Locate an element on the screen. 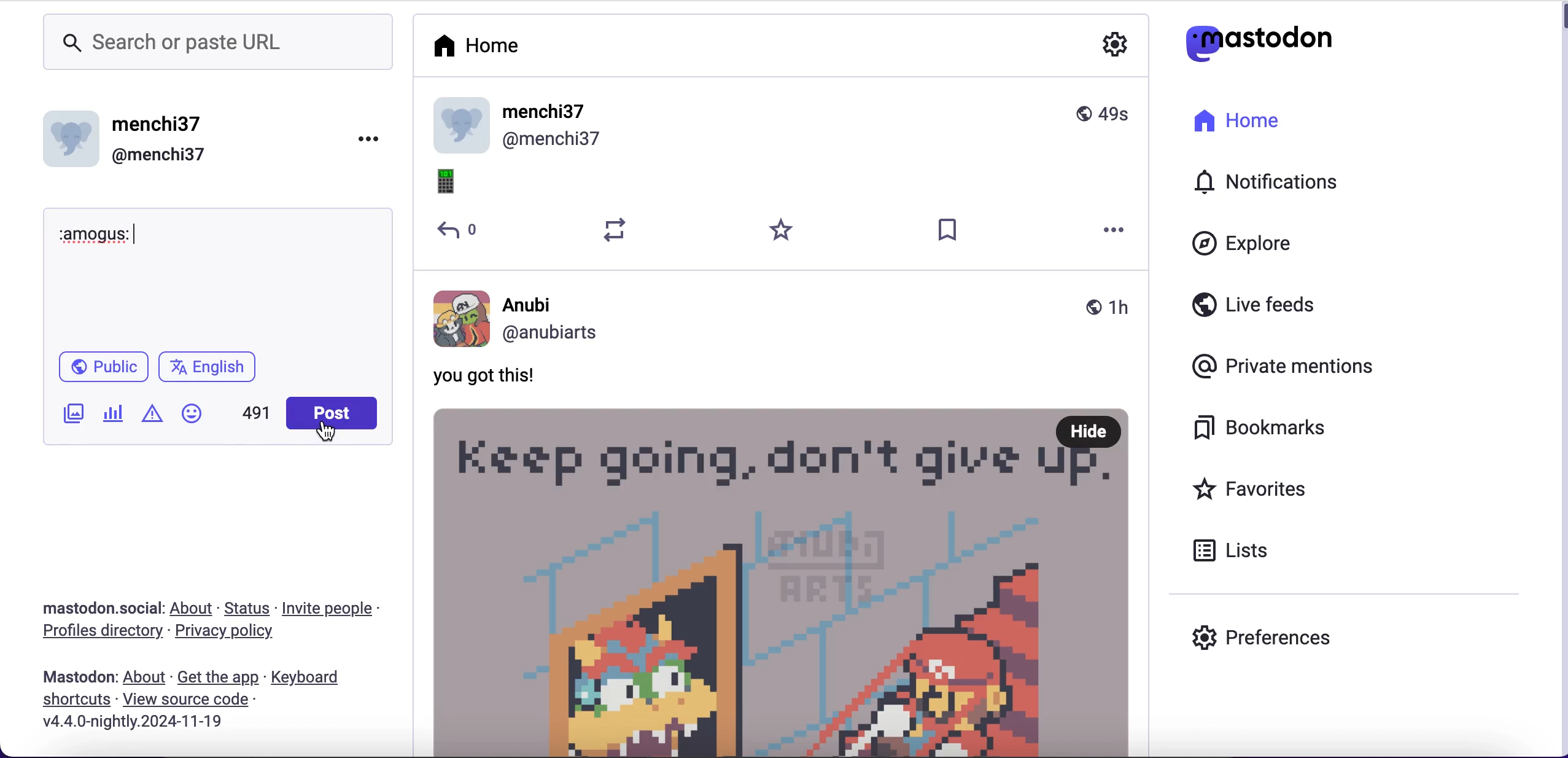  favorites is located at coordinates (1279, 488).